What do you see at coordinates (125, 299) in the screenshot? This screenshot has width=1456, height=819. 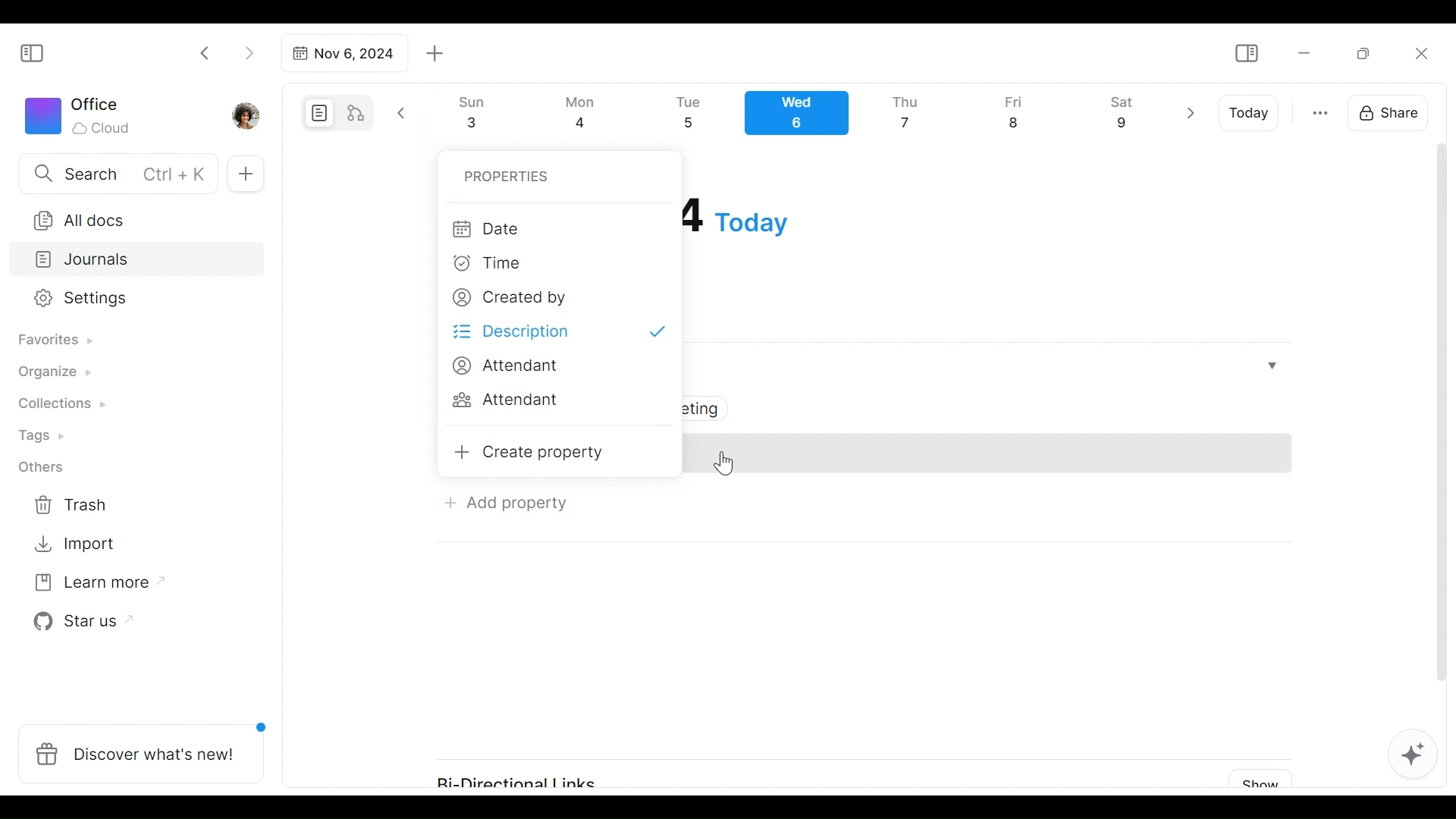 I see `Settings` at bounding box center [125, 299].